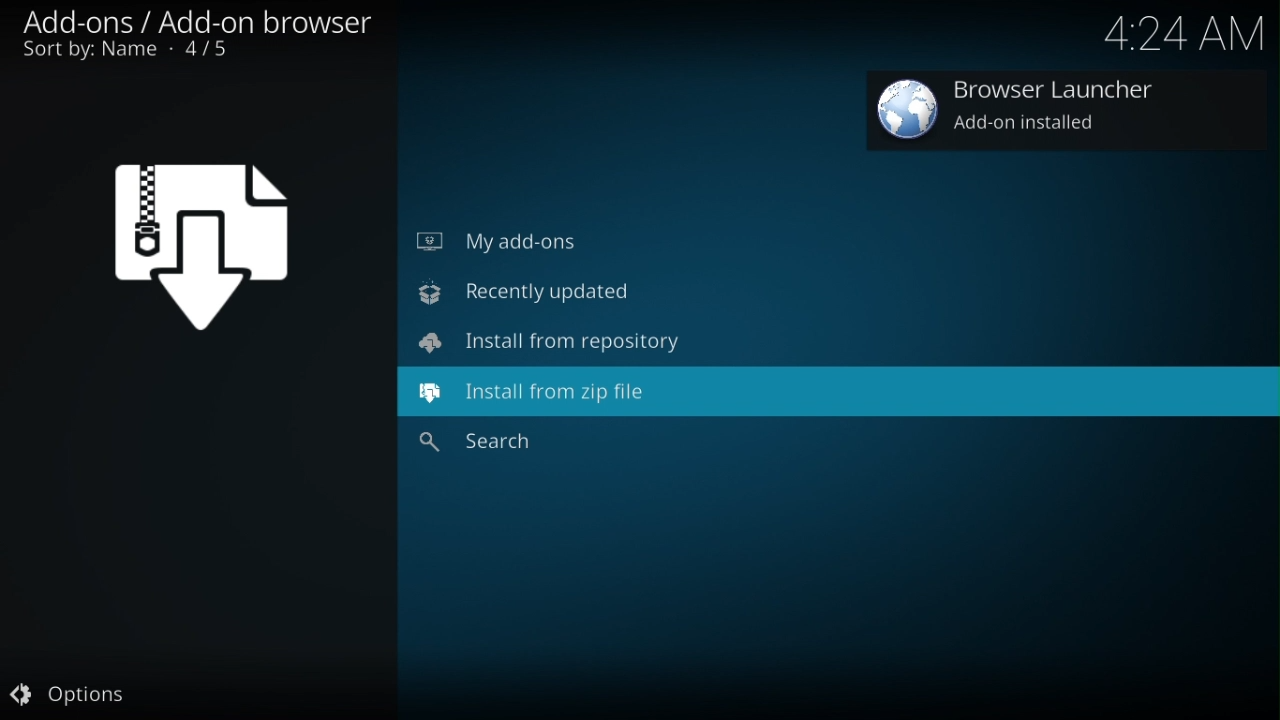 The width and height of the screenshot is (1280, 720). What do you see at coordinates (506, 446) in the screenshot?
I see `` at bounding box center [506, 446].